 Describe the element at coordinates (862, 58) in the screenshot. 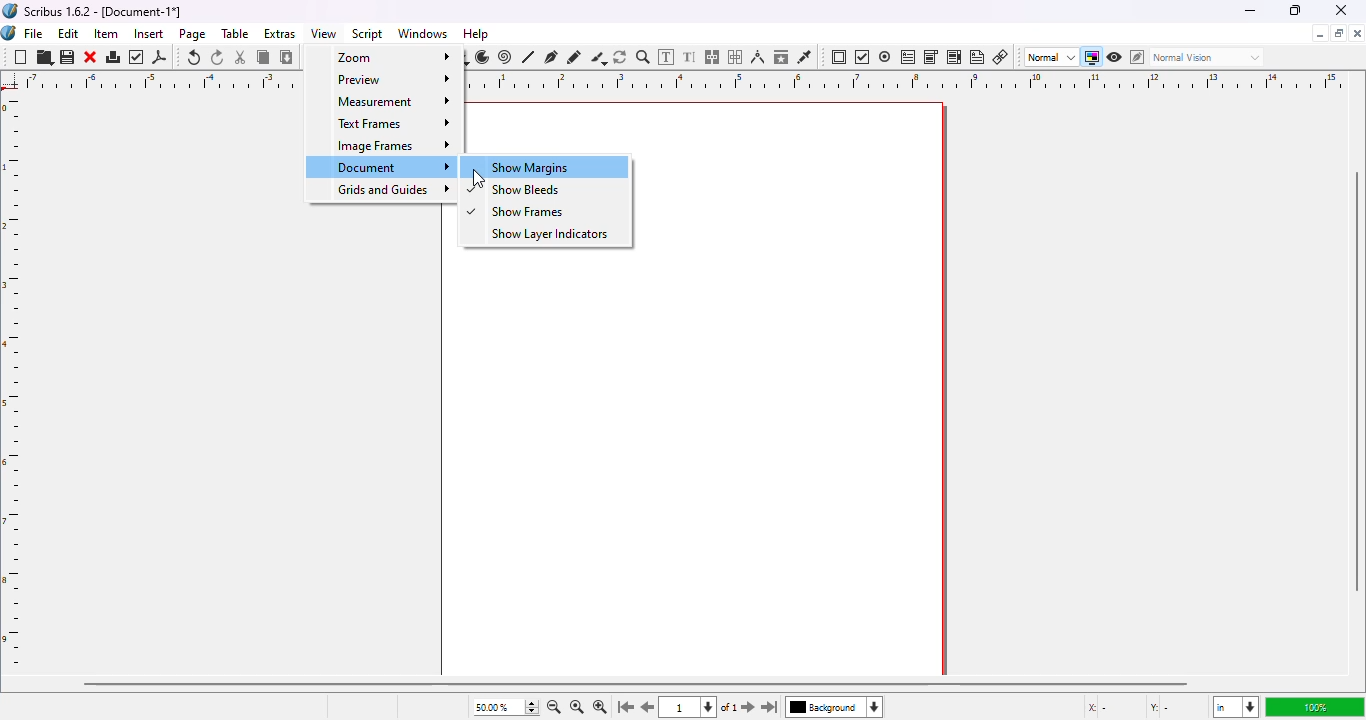

I see `PDF check box` at that location.